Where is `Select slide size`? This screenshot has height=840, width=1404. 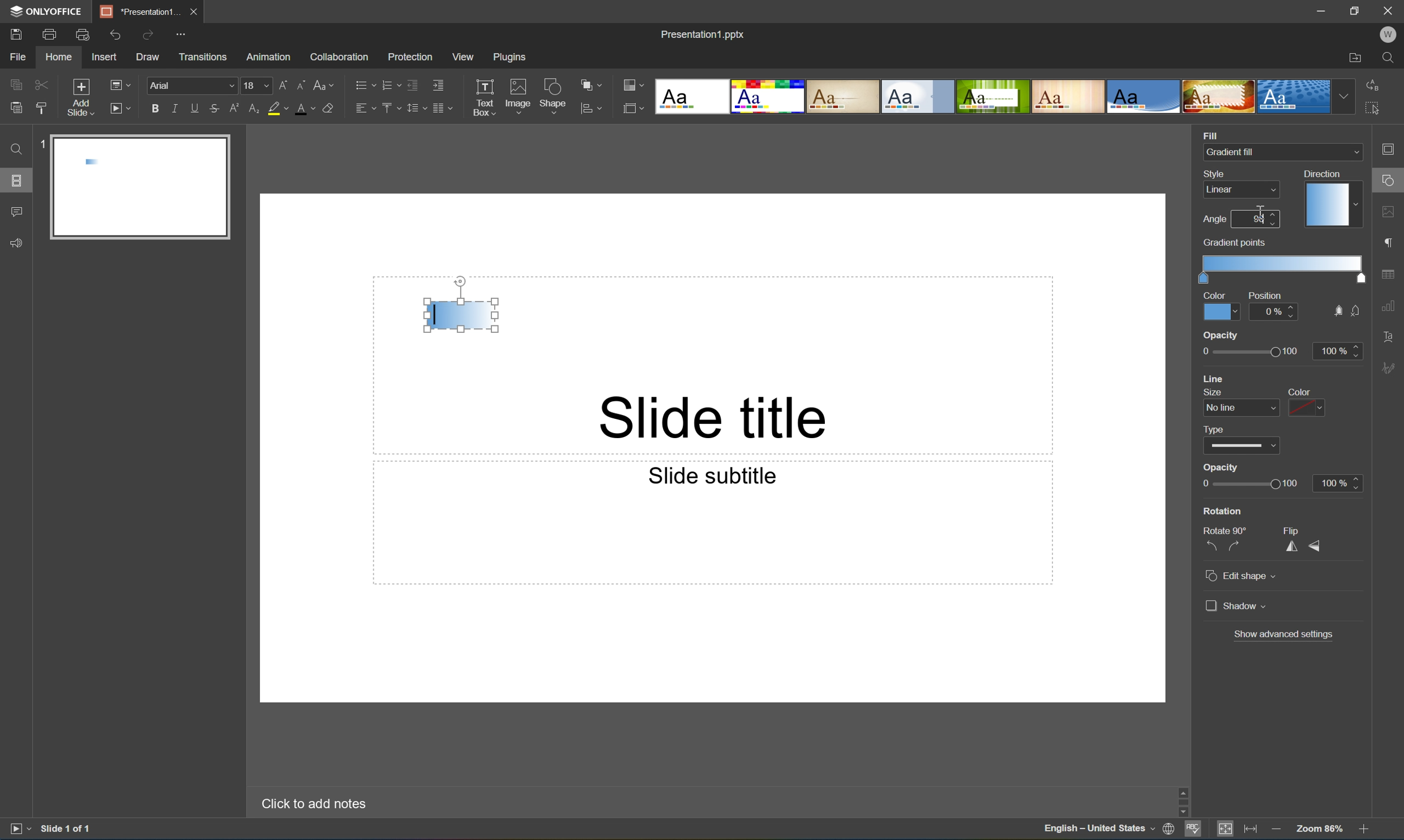
Select slide size is located at coordinates (633, 110).